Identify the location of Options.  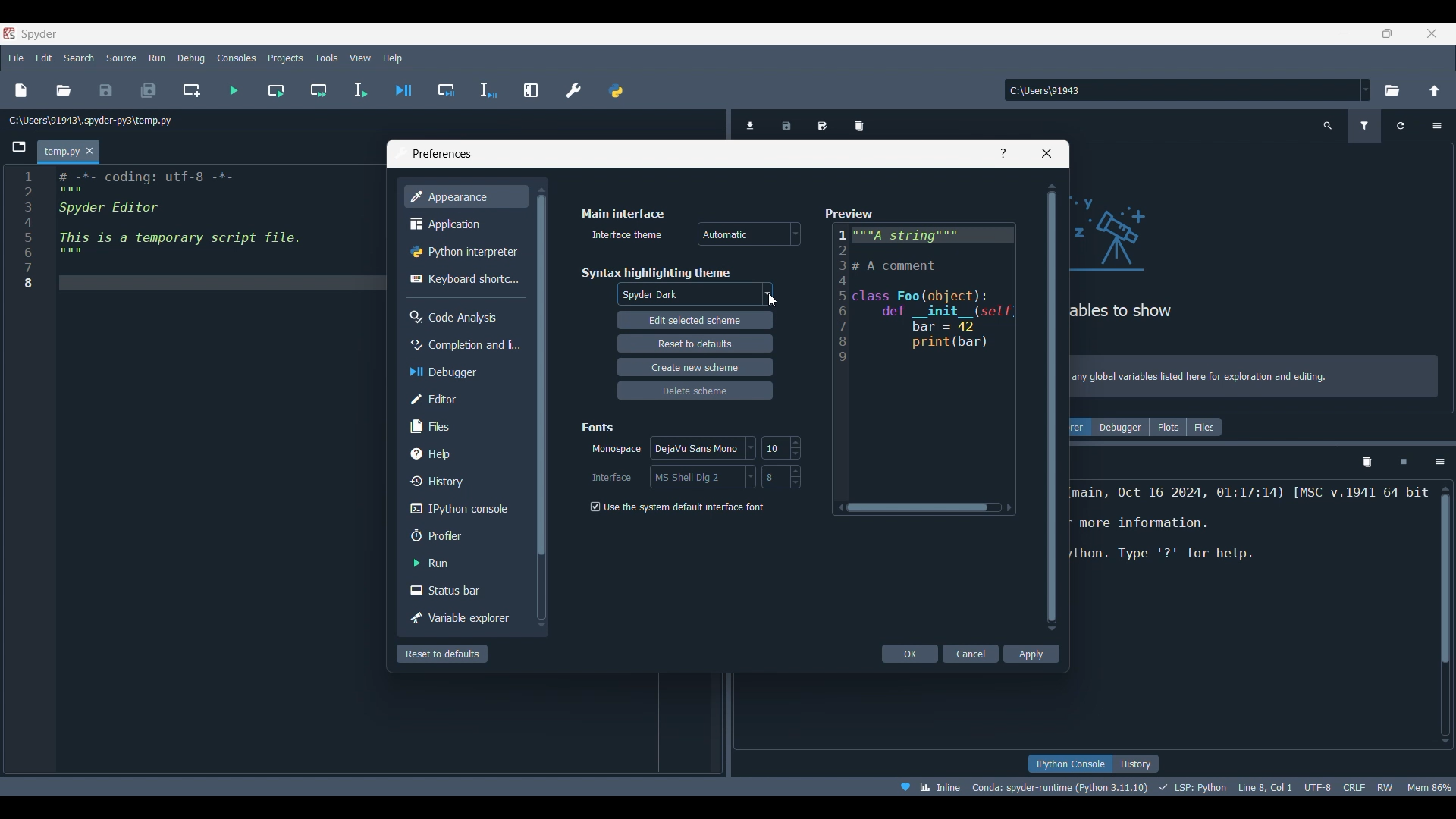
(1436, 126).